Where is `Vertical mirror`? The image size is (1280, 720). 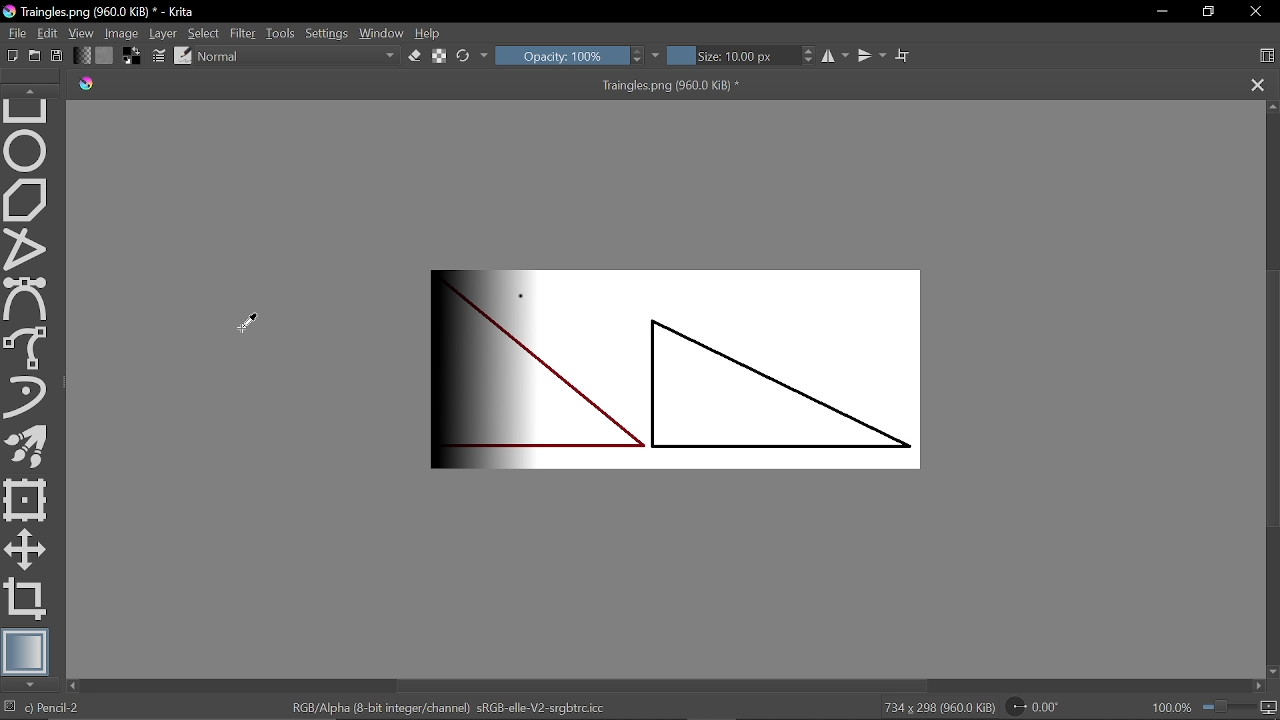
Vertical mirror is located at coordinates (872, 58).